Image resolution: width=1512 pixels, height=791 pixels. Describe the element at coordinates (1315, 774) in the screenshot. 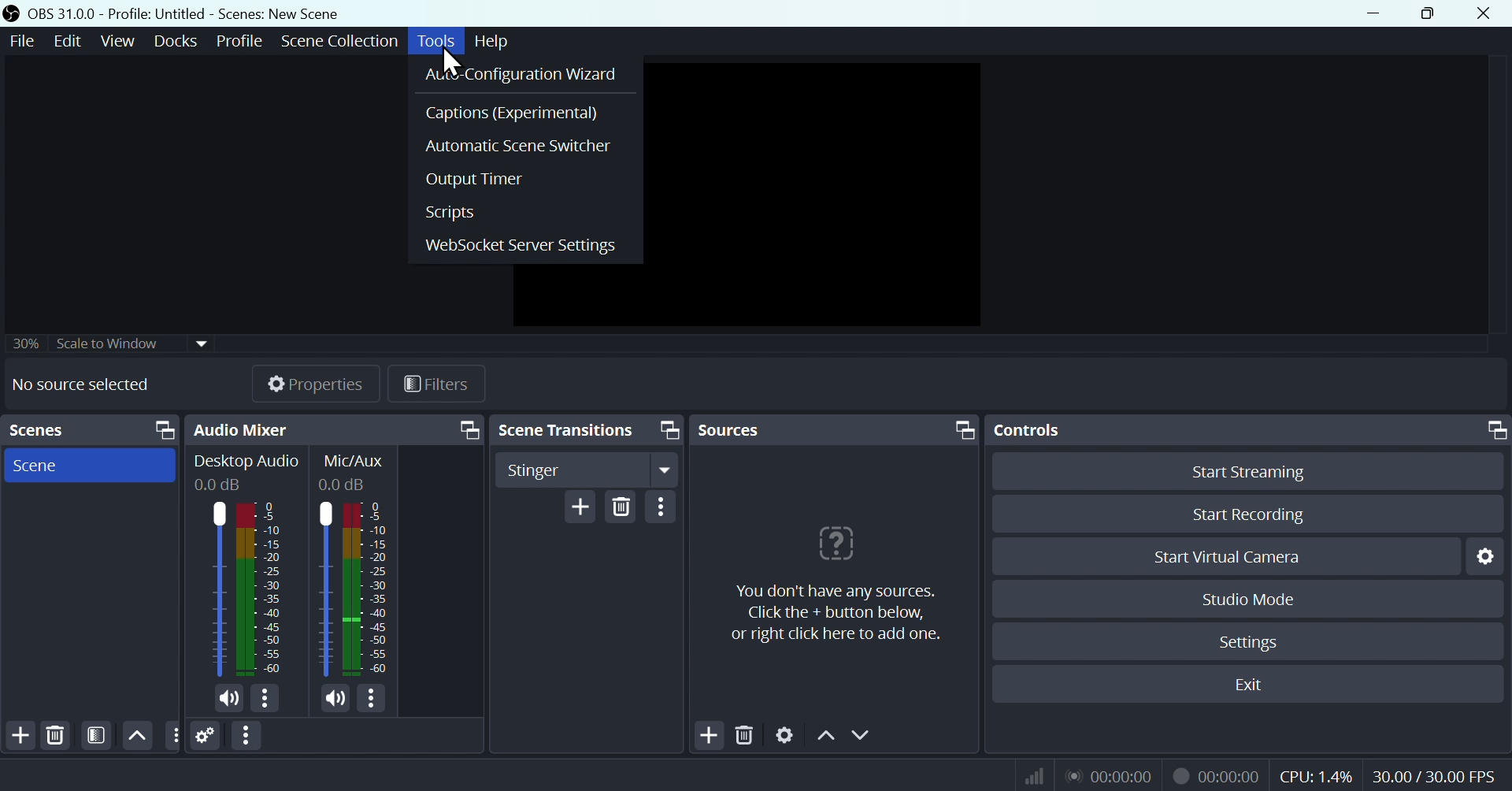

I see `CPU` at that location.